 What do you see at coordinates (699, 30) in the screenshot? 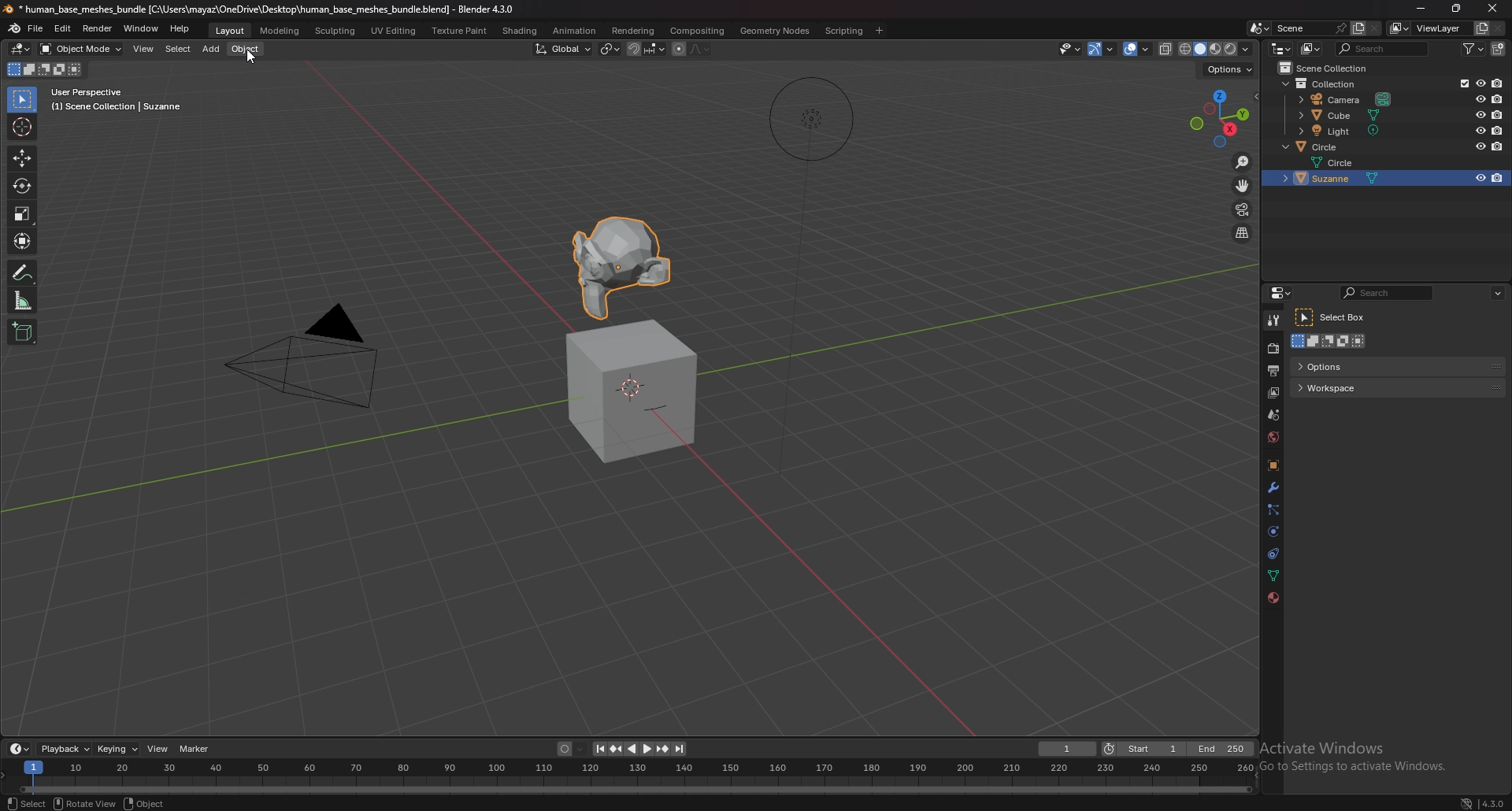
I see `compositing` at bounding box center [699, 30].